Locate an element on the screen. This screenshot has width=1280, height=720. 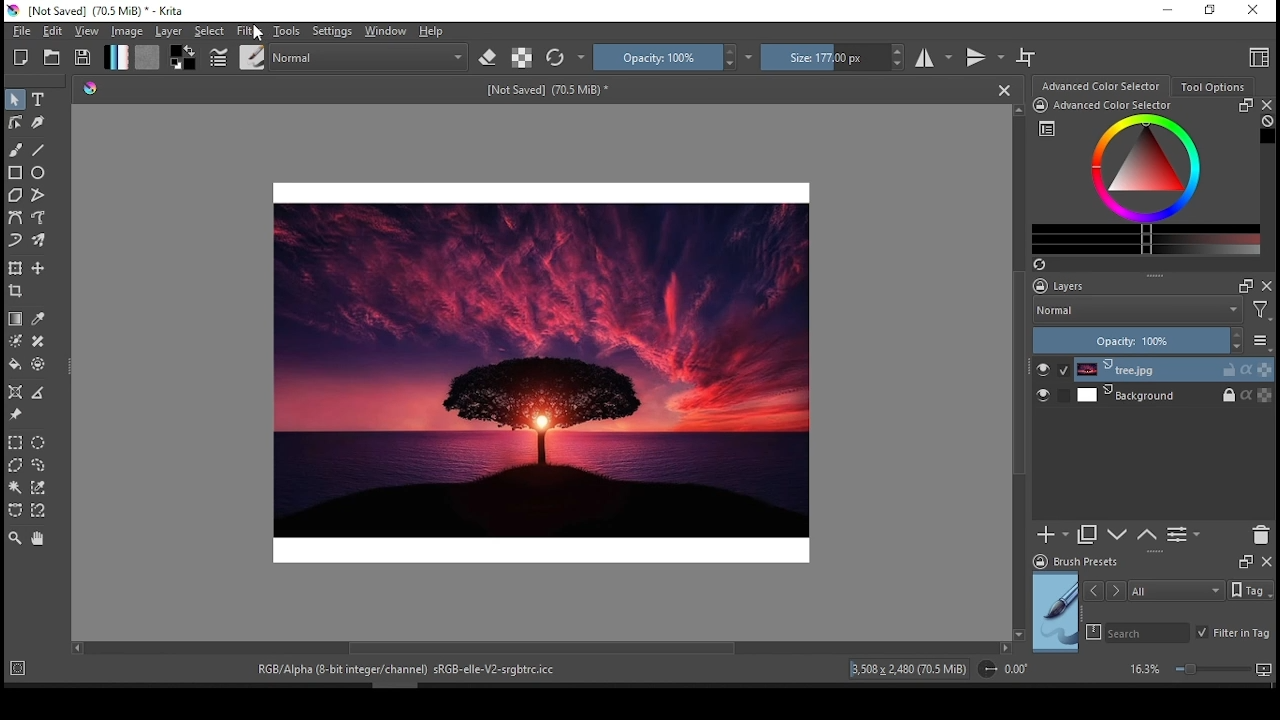
vertical mirror mode is located at coordinates (986, 57).